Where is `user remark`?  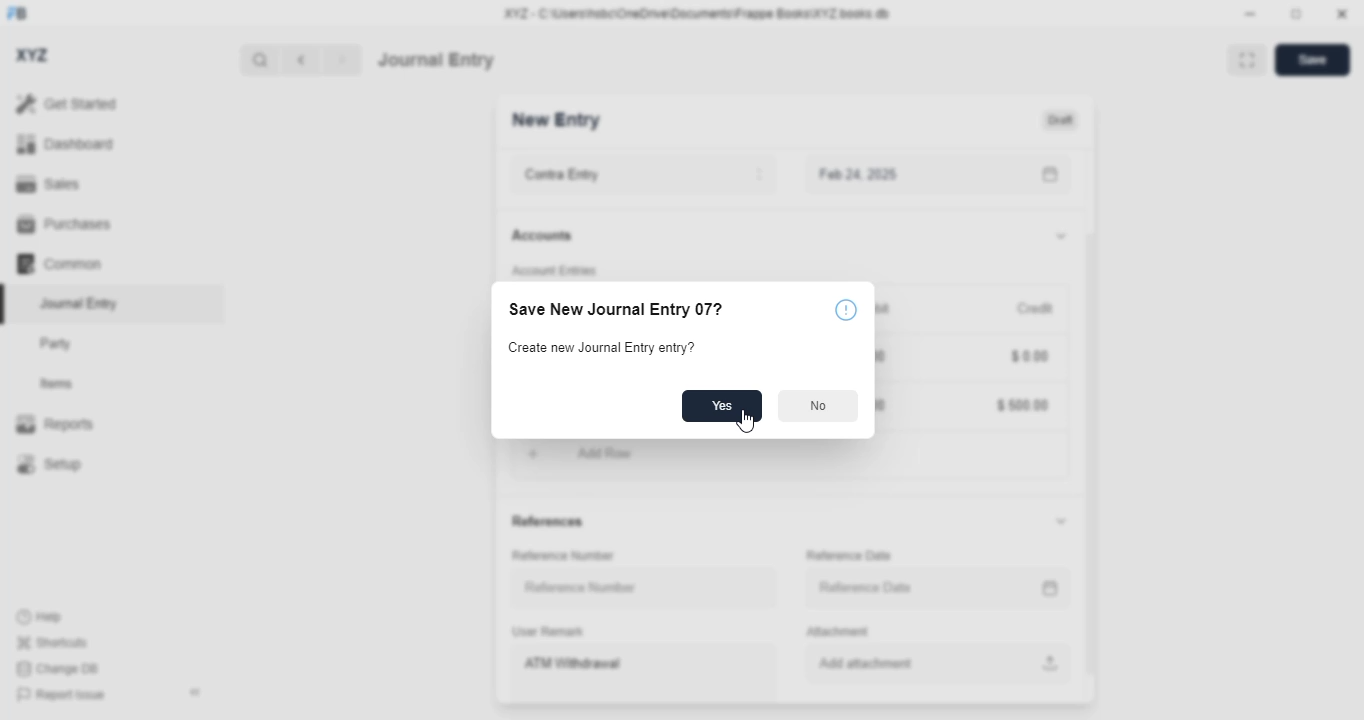
user remark is located at coordinates (550, 632).